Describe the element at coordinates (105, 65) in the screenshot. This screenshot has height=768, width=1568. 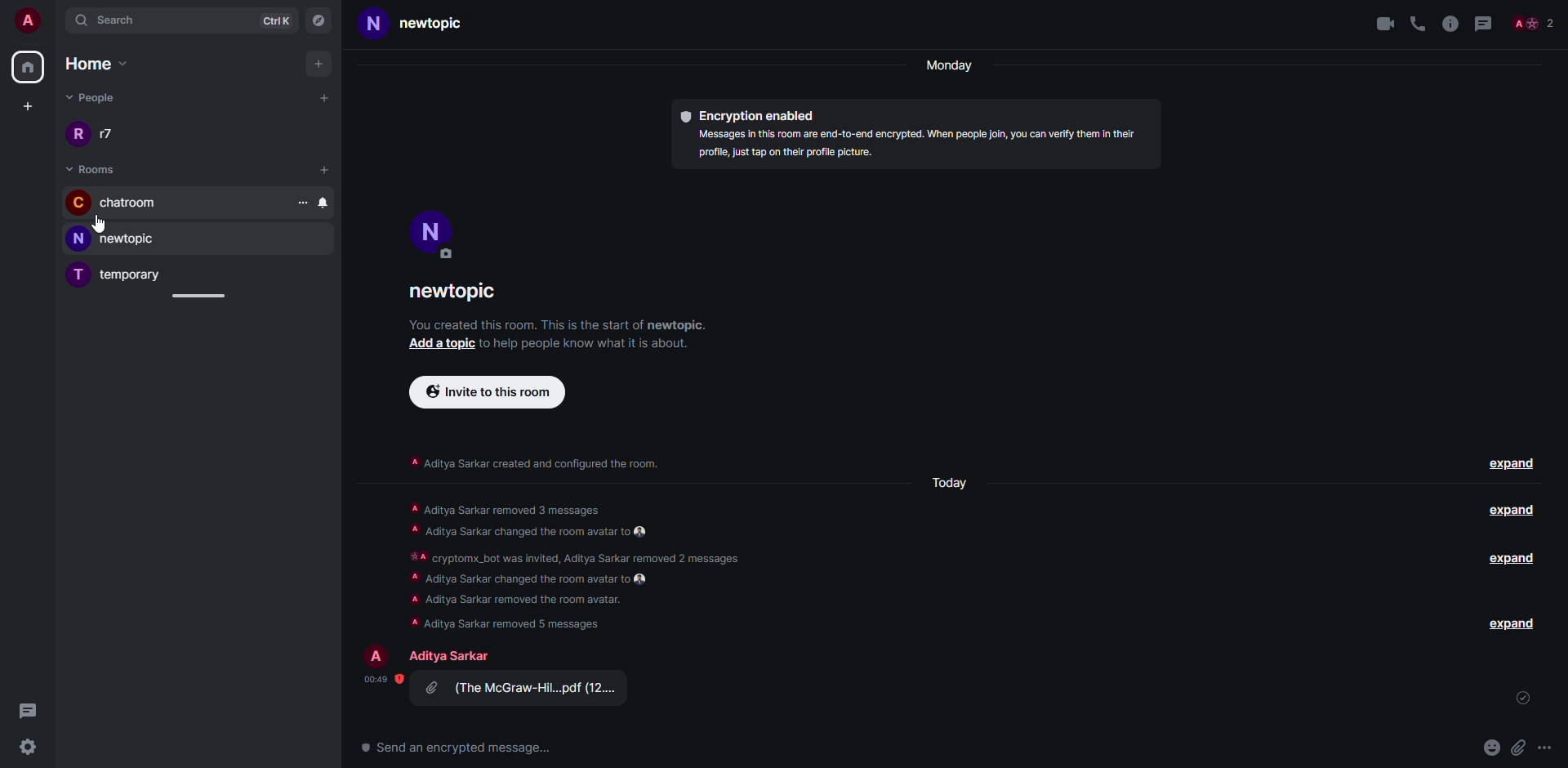
I see `home` at that location.